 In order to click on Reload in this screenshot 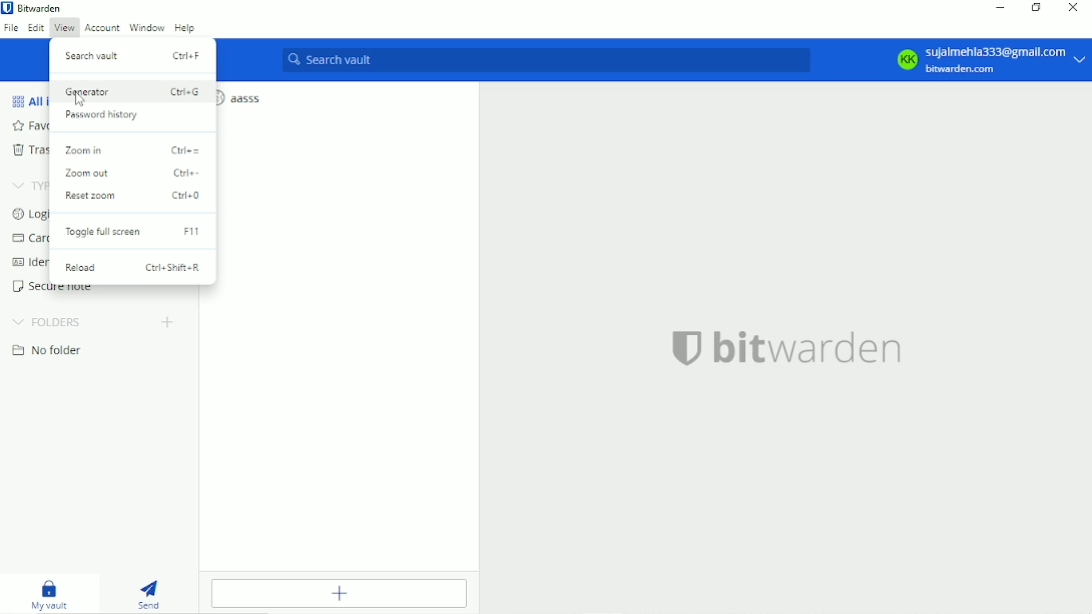, I will do `click(134, 267)`.